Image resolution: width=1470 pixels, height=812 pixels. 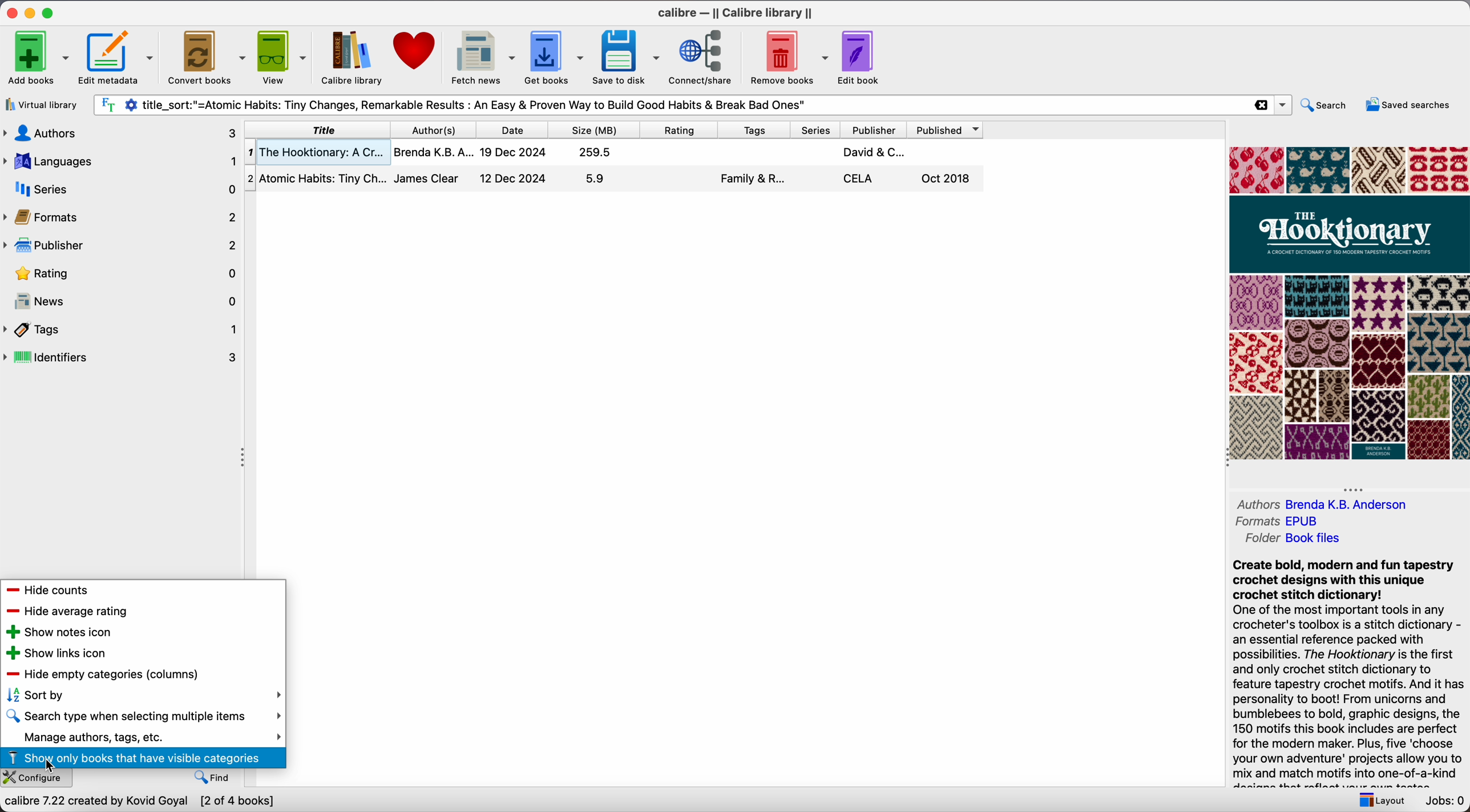 I want to click on synopsis, so click(x=1351, y=672).